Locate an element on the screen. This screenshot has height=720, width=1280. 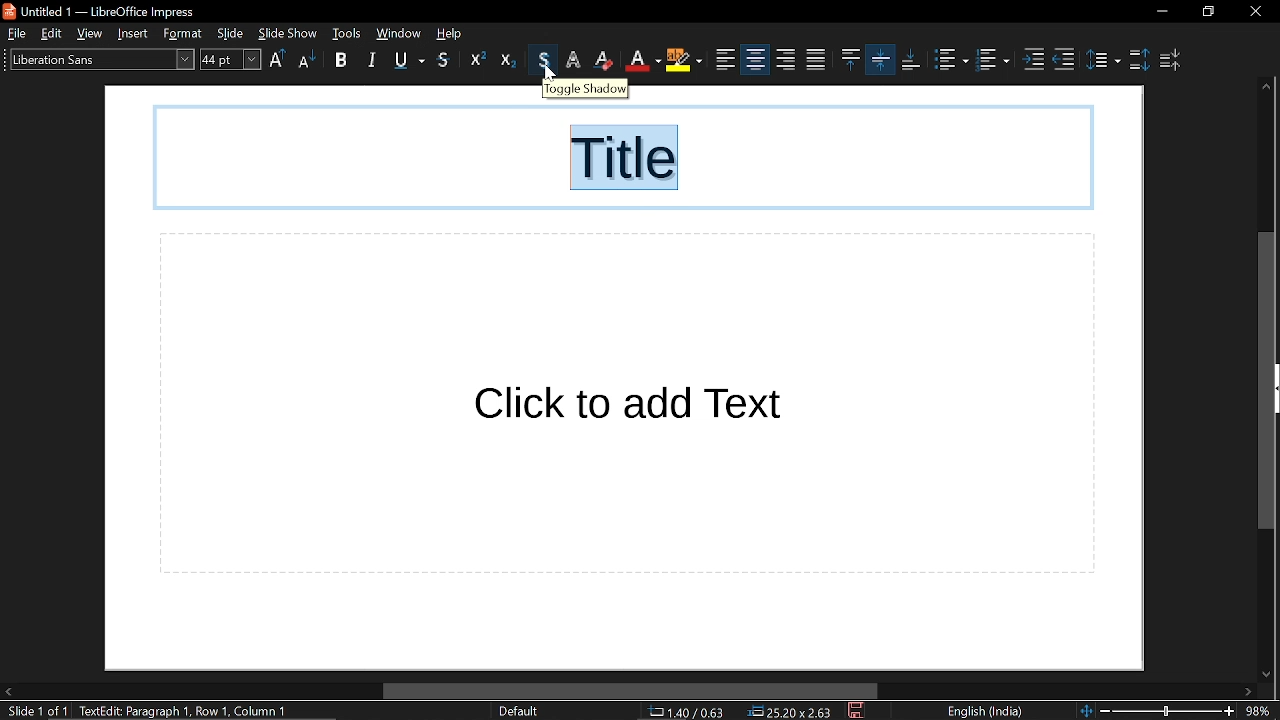
close is located at coordinates (1255, 12).